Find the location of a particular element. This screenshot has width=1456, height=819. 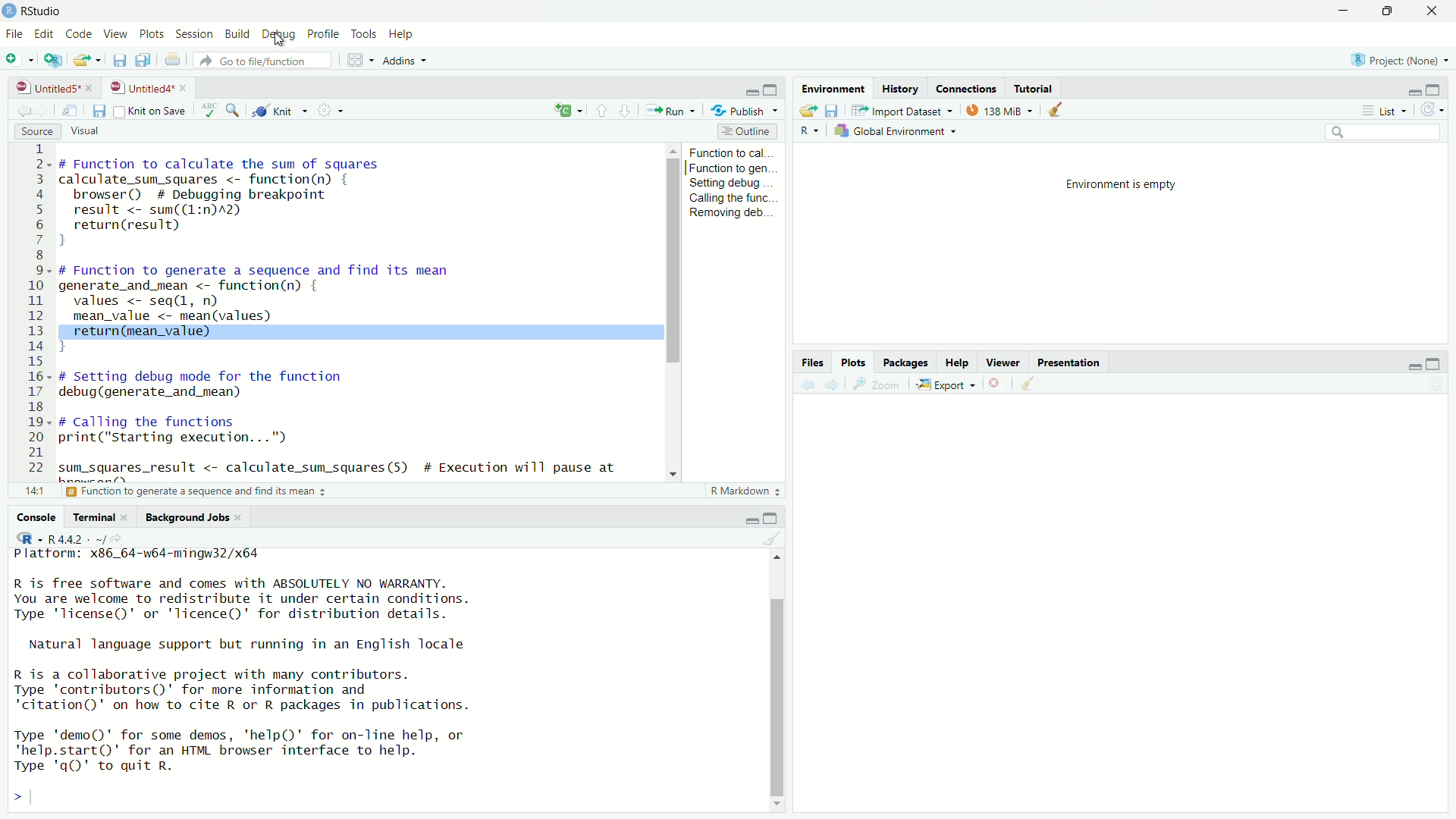

save current document is located at coordinates (118, 60).